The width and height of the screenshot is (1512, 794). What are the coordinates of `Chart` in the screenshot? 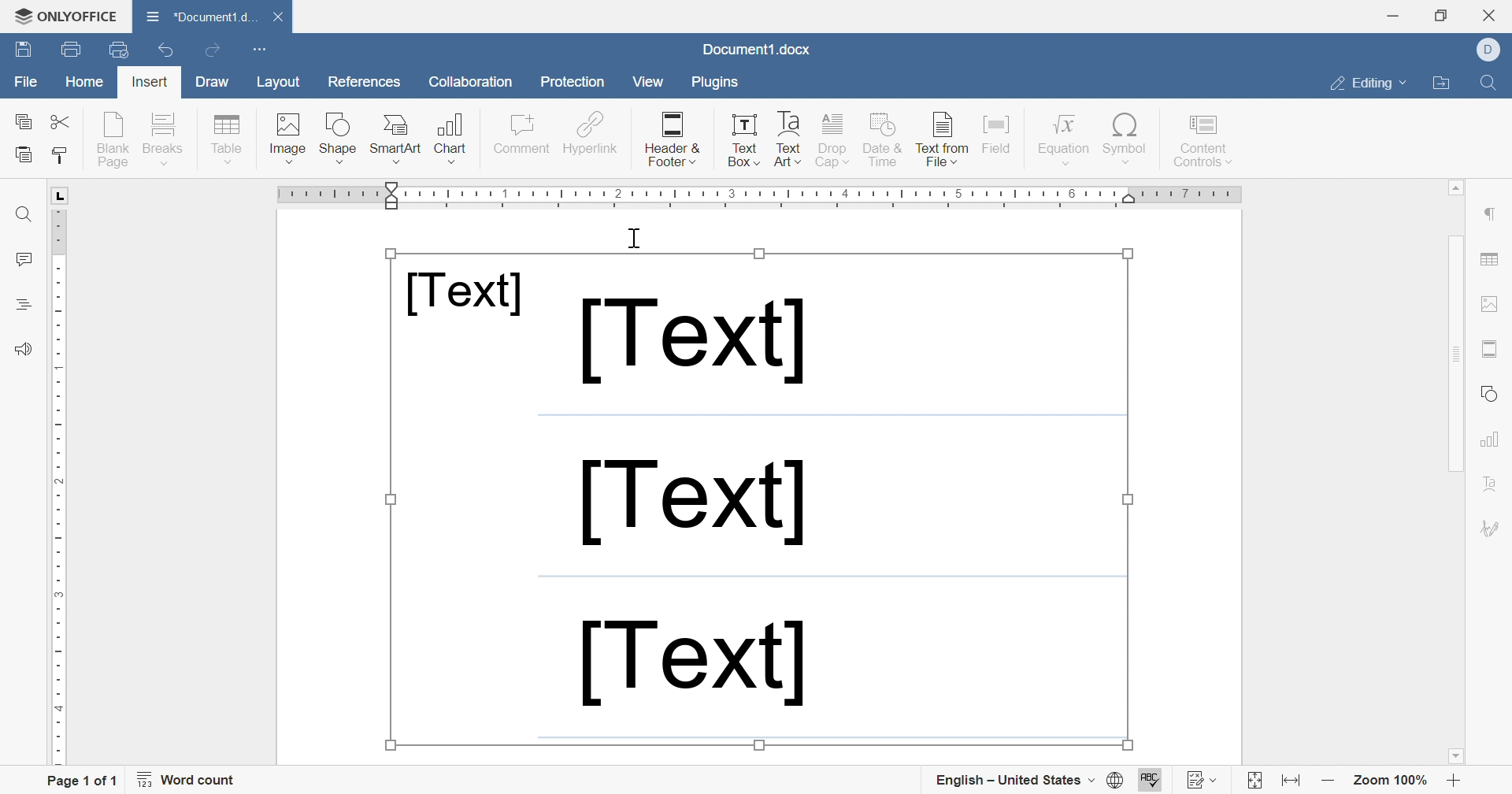 It's located at (453, 138).